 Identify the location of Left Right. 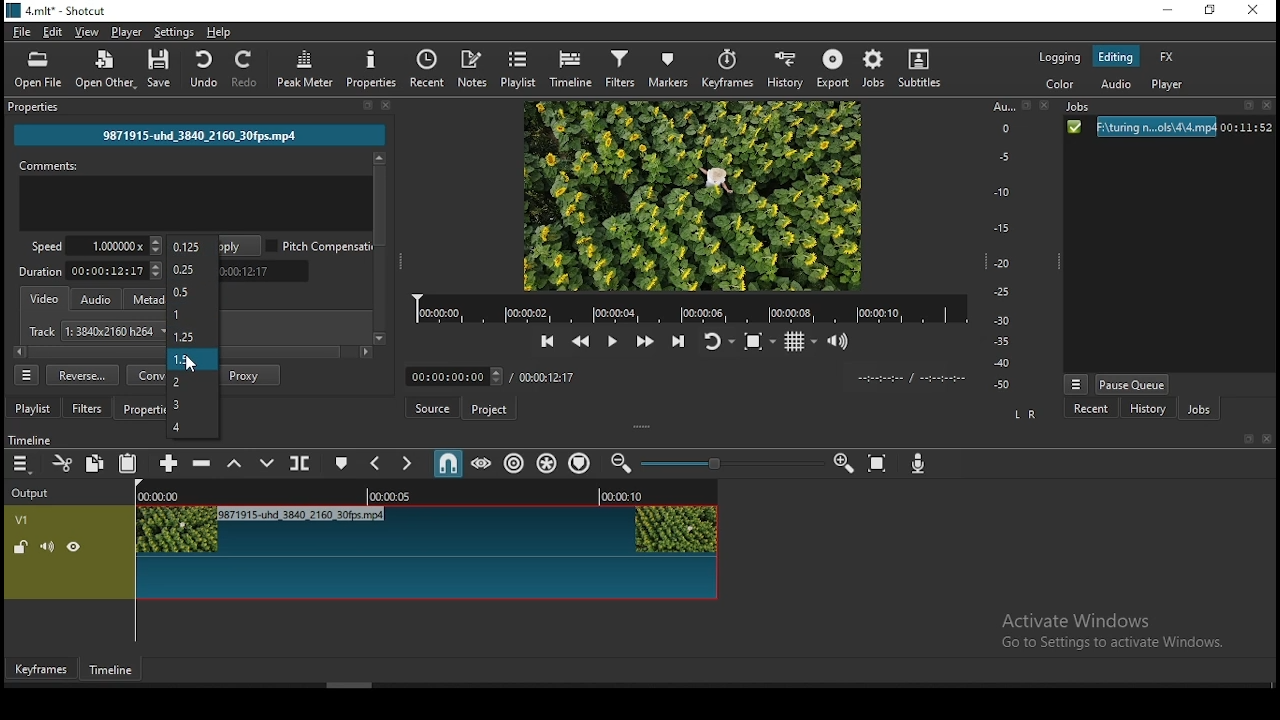
(1023, 414).